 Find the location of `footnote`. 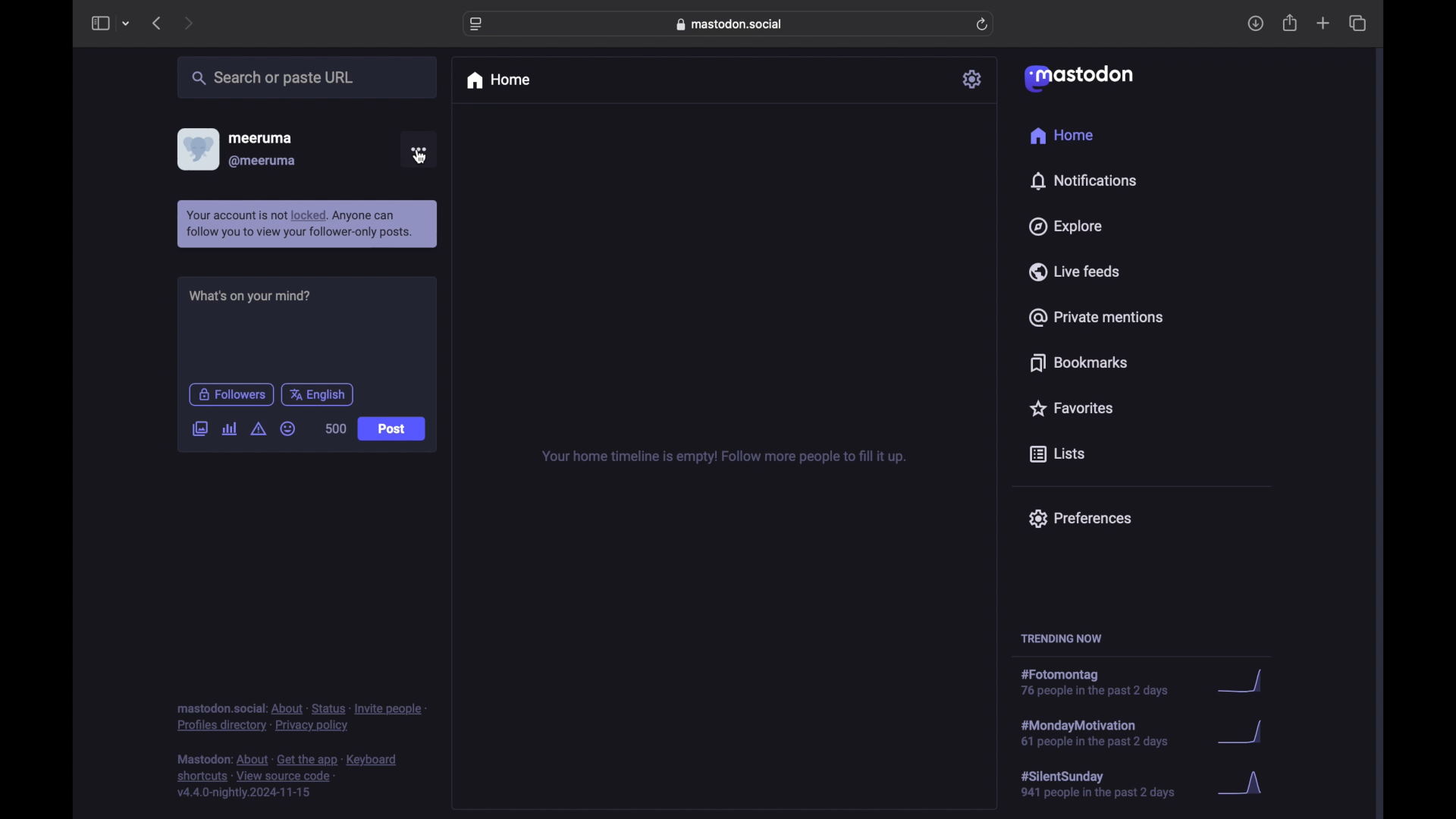

footnote is located at coordinates (287, 777).